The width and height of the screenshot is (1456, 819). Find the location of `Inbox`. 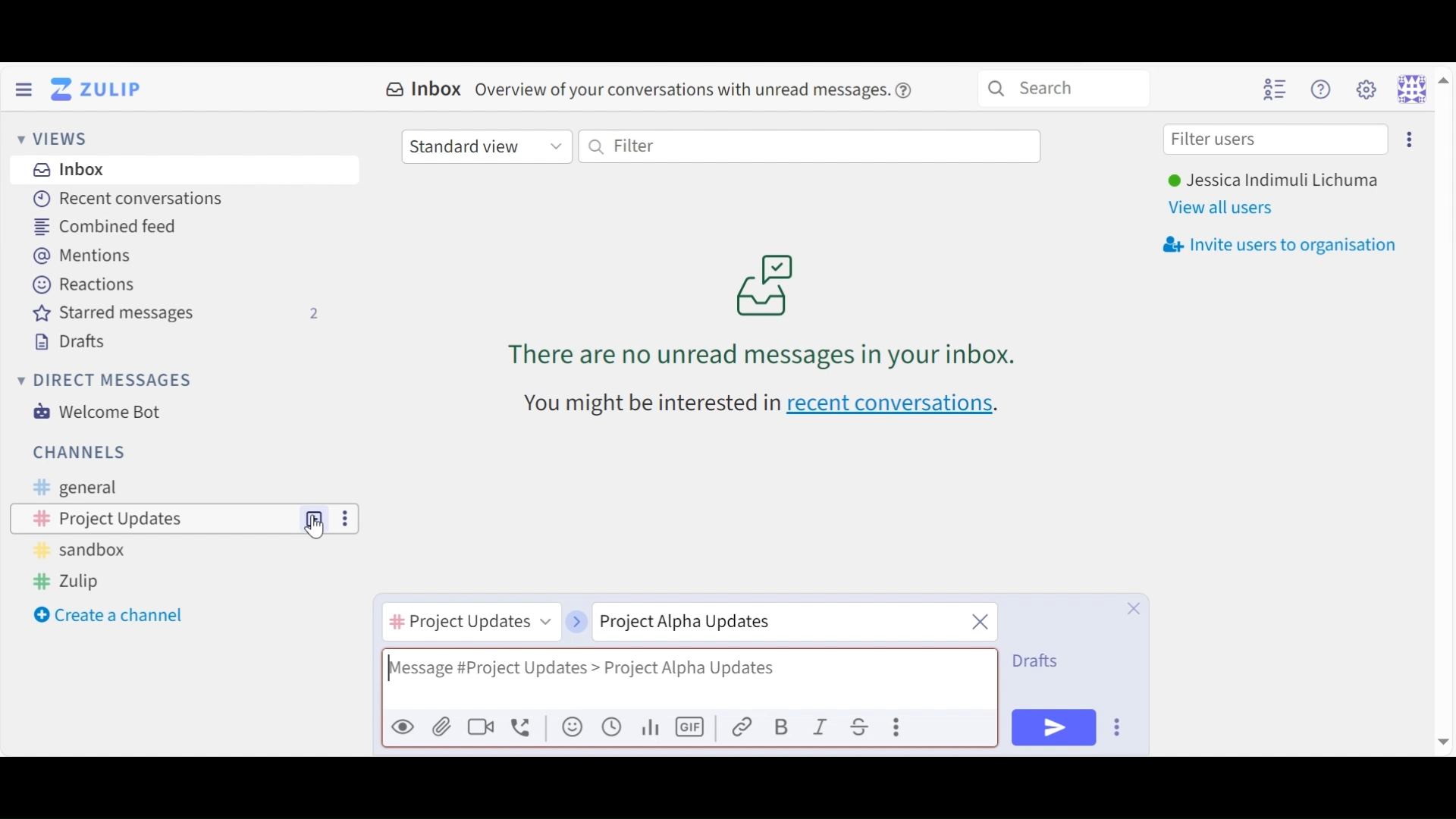

Inbox is located at coordinates (425, 89).